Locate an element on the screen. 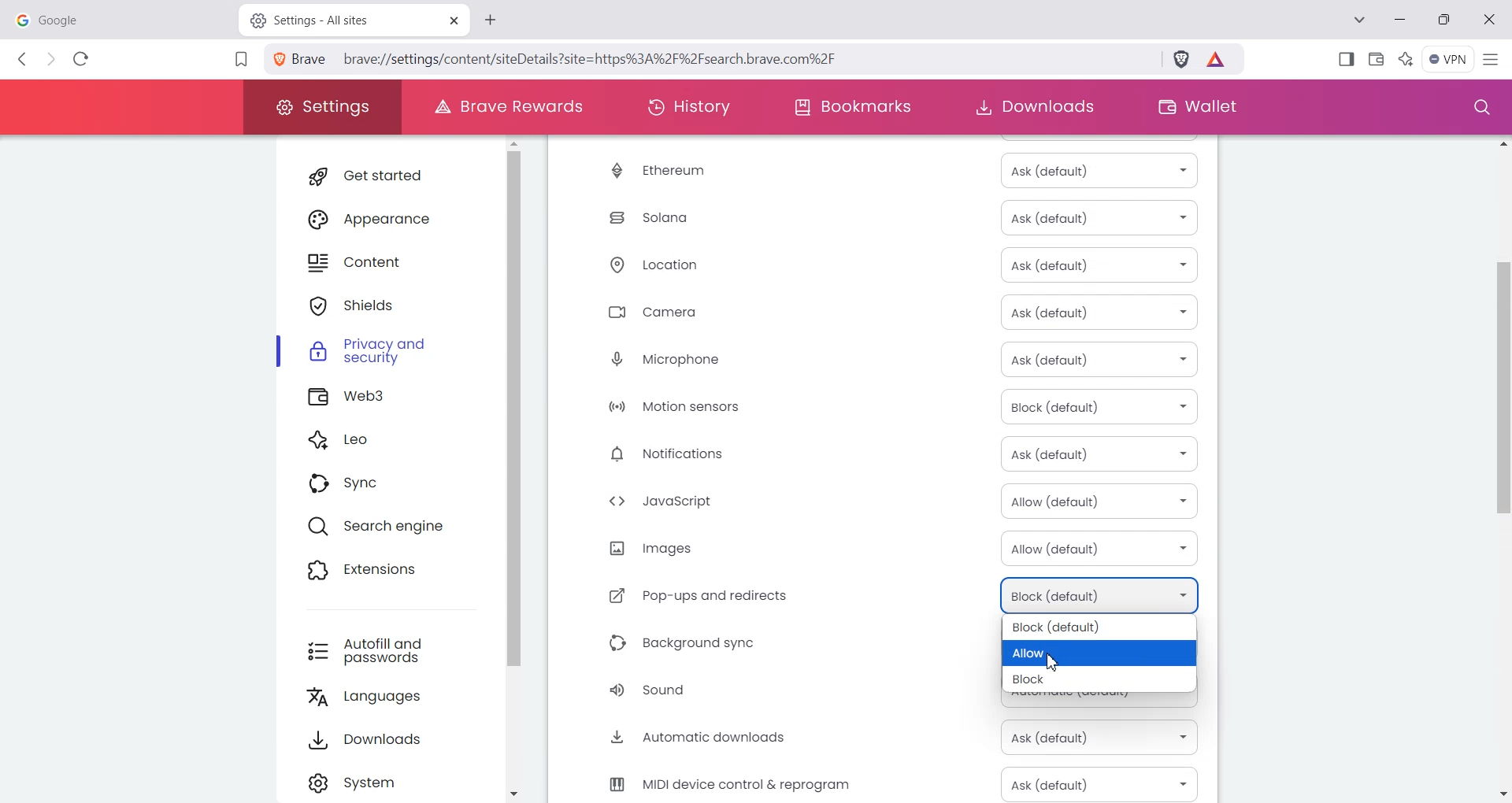 The width and height of the screenshot is (1512, 803). Appearance is located at coordinates (388, 217).